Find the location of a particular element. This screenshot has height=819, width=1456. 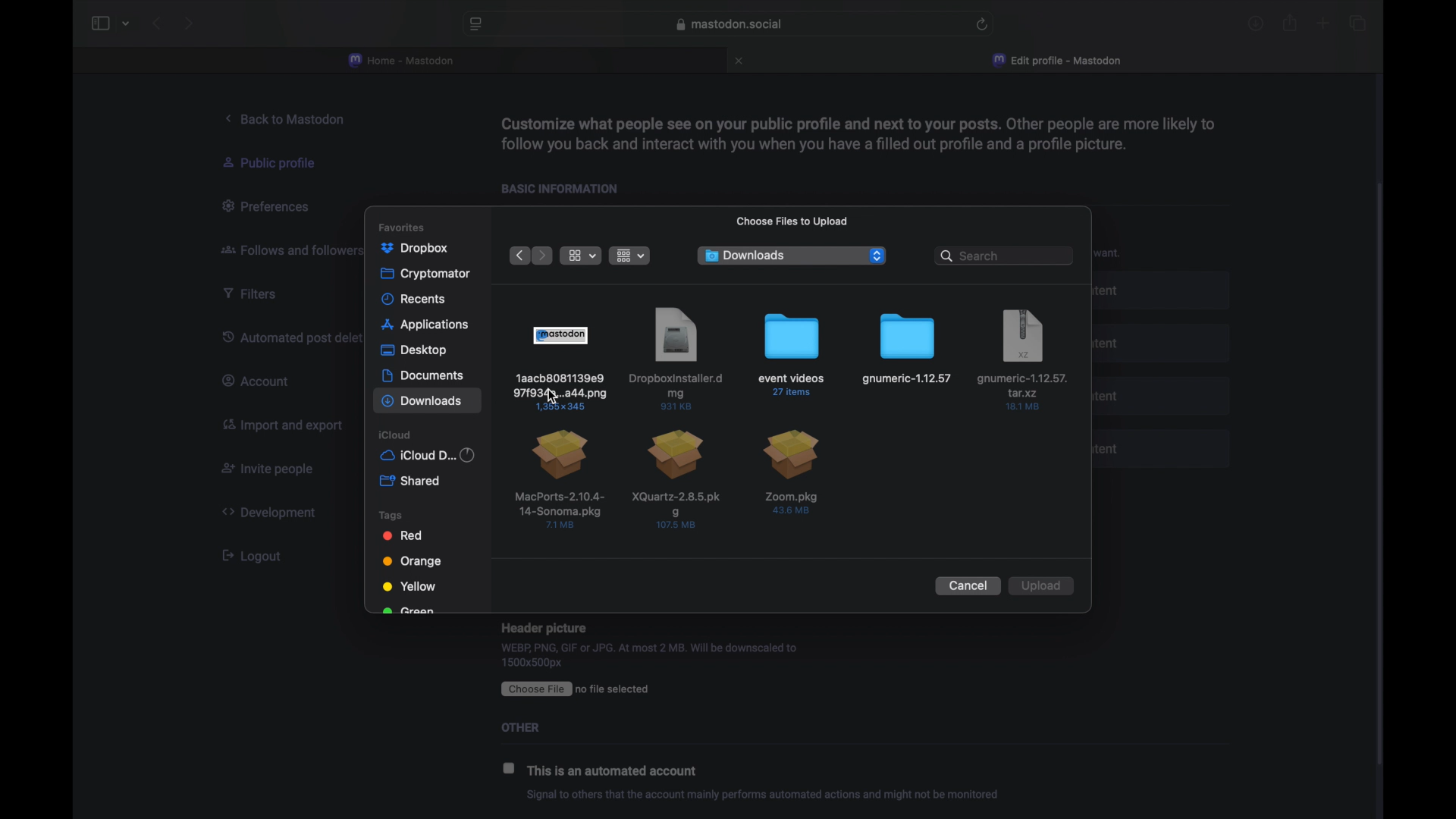

CEE ro file selected is located at coordinates (585, 688).